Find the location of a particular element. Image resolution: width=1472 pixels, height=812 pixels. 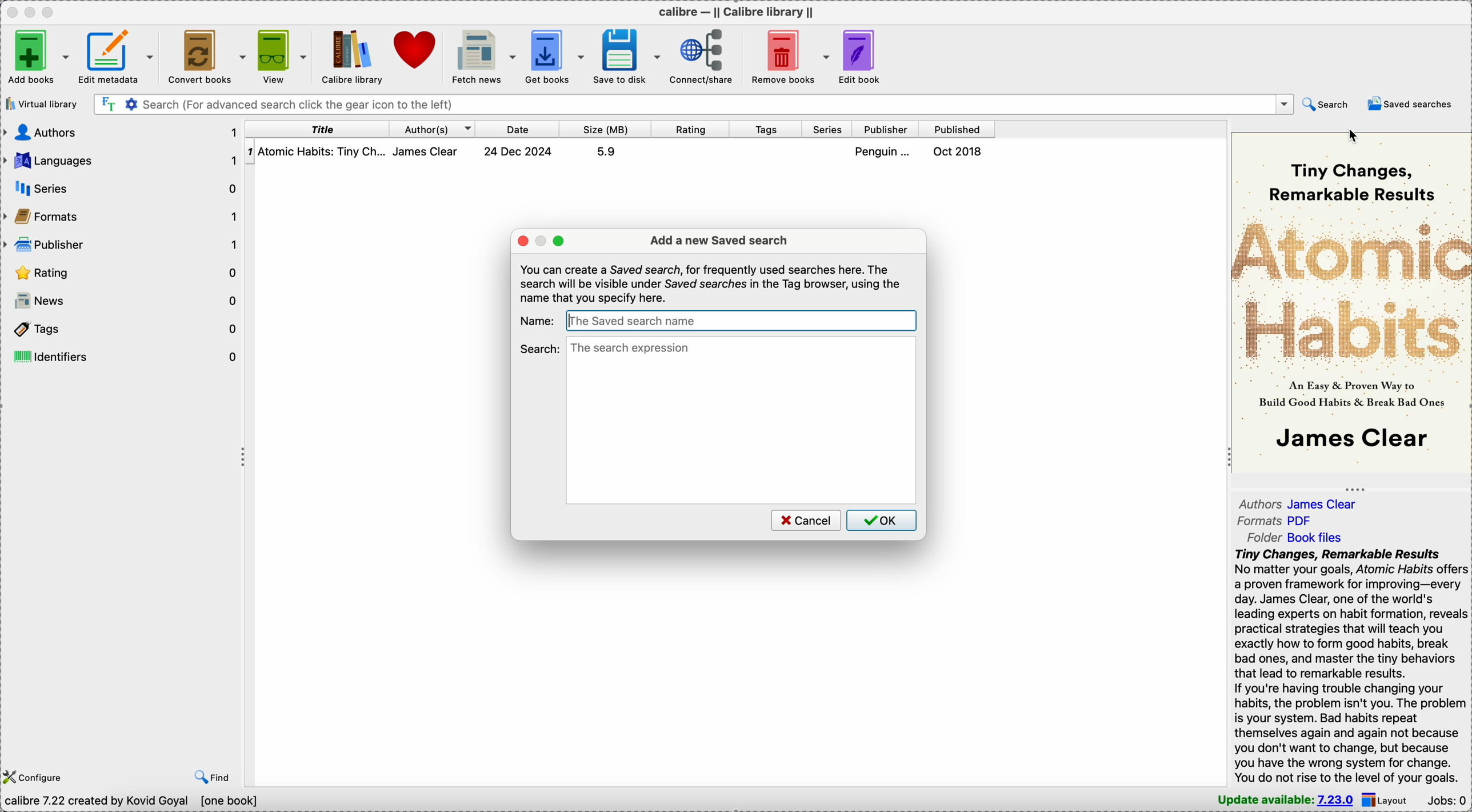

series is located at coordinates (127, 188).